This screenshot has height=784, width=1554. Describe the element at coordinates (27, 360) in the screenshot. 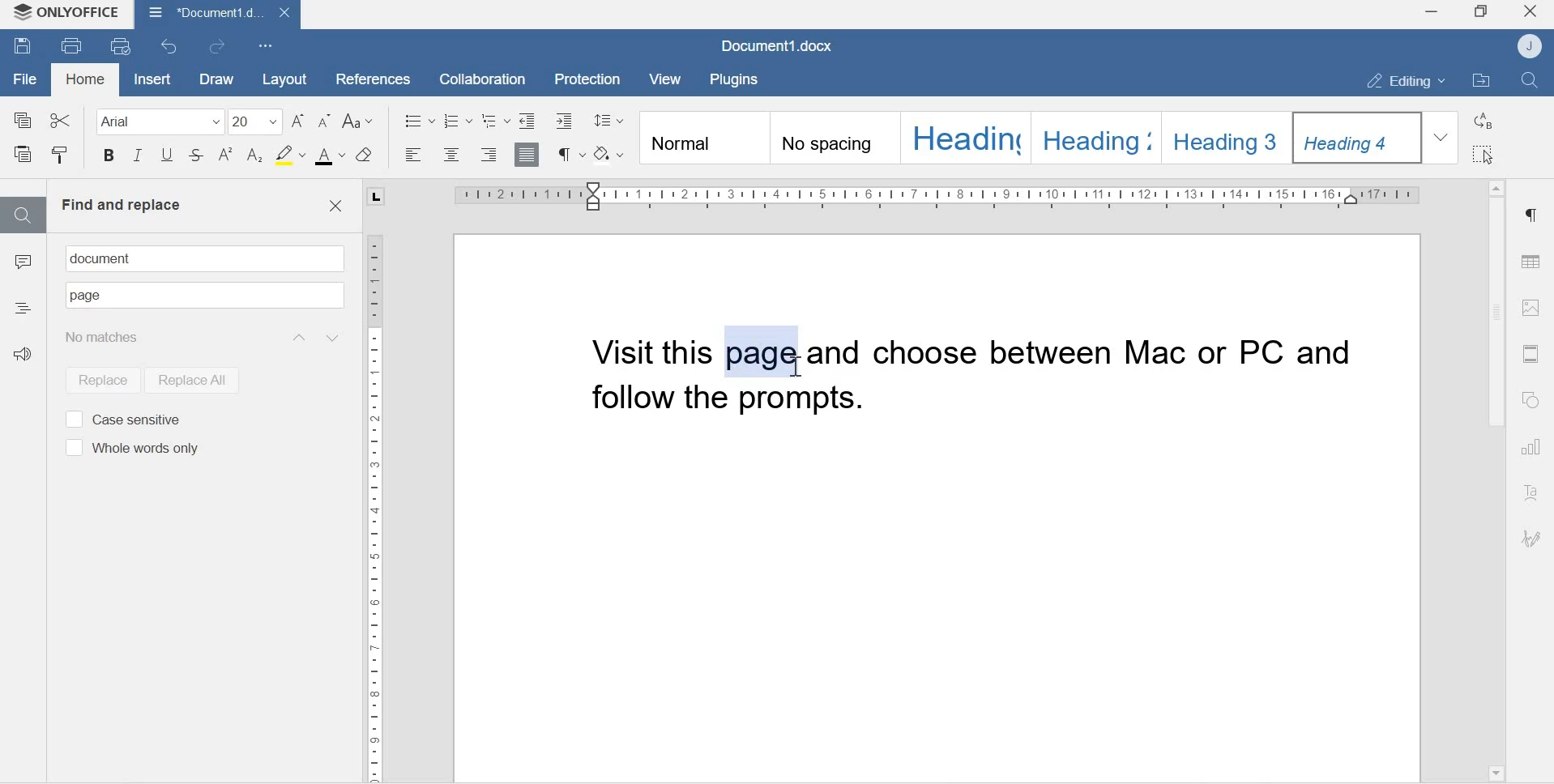

I see `Feedback & Support` at that location.